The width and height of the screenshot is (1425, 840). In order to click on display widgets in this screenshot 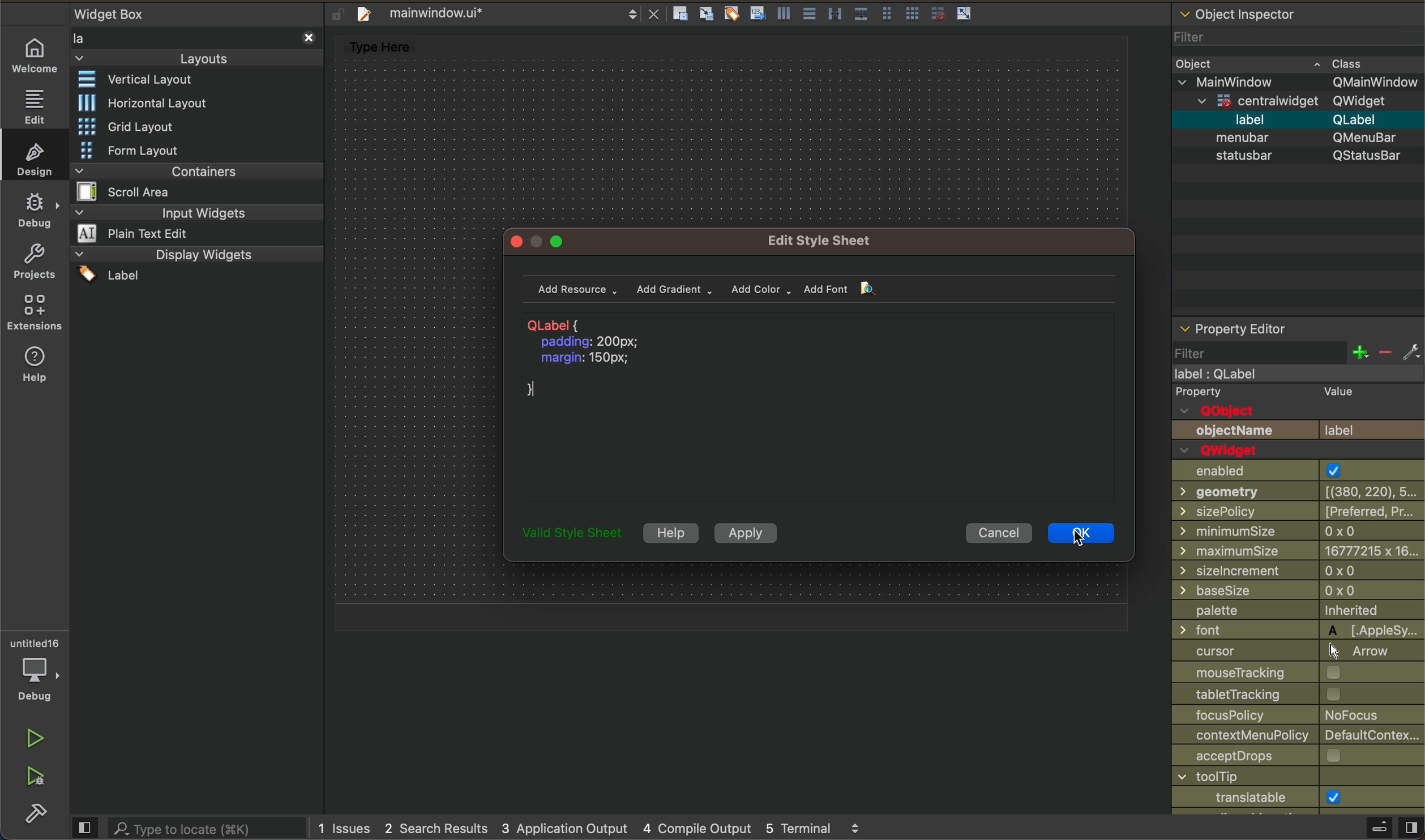, I will do `click(197, 267)`.